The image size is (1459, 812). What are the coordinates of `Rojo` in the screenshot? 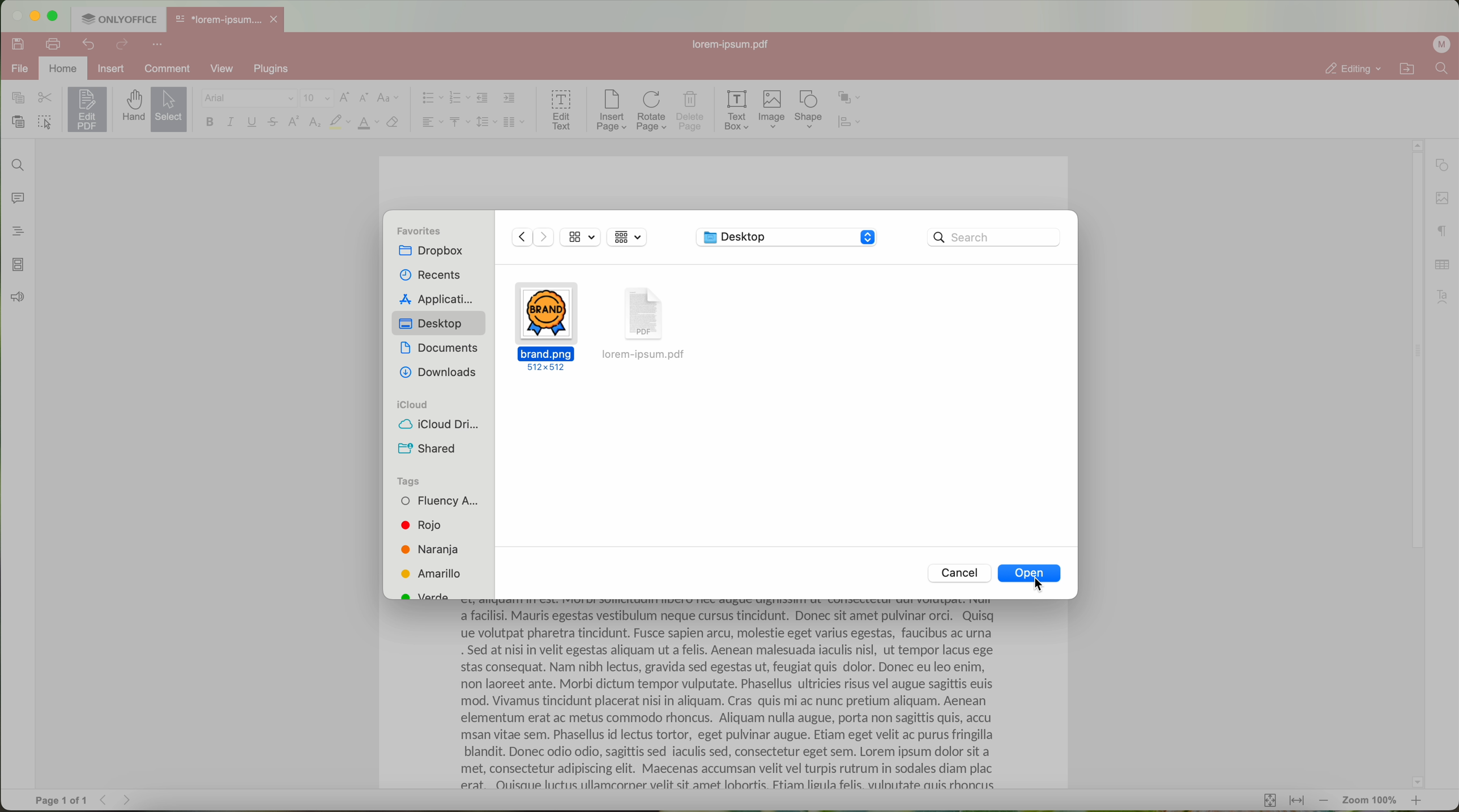 It's located at (421, 525).